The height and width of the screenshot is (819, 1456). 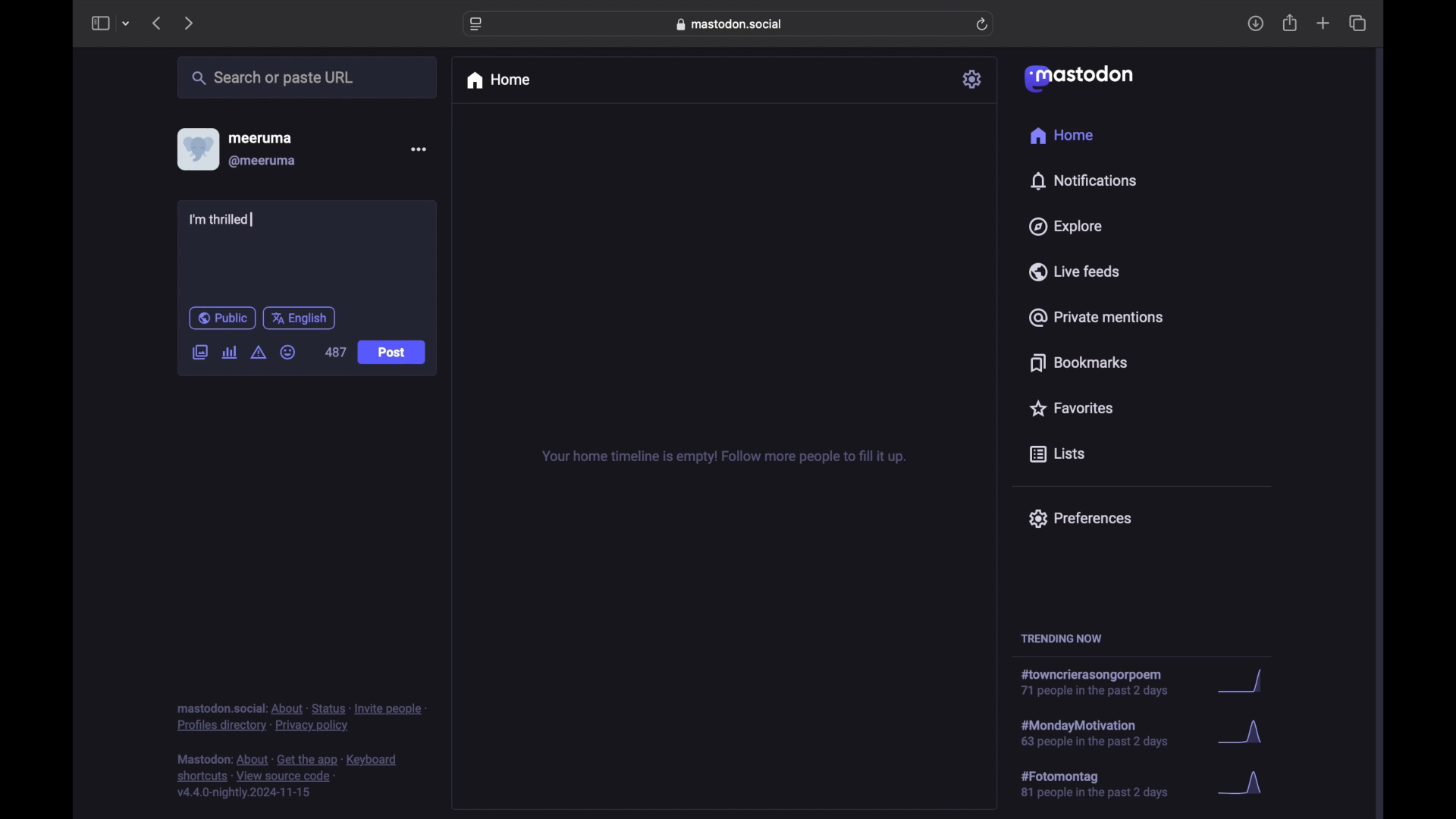 I want to click on downloads, so click(x=1255, y=24).